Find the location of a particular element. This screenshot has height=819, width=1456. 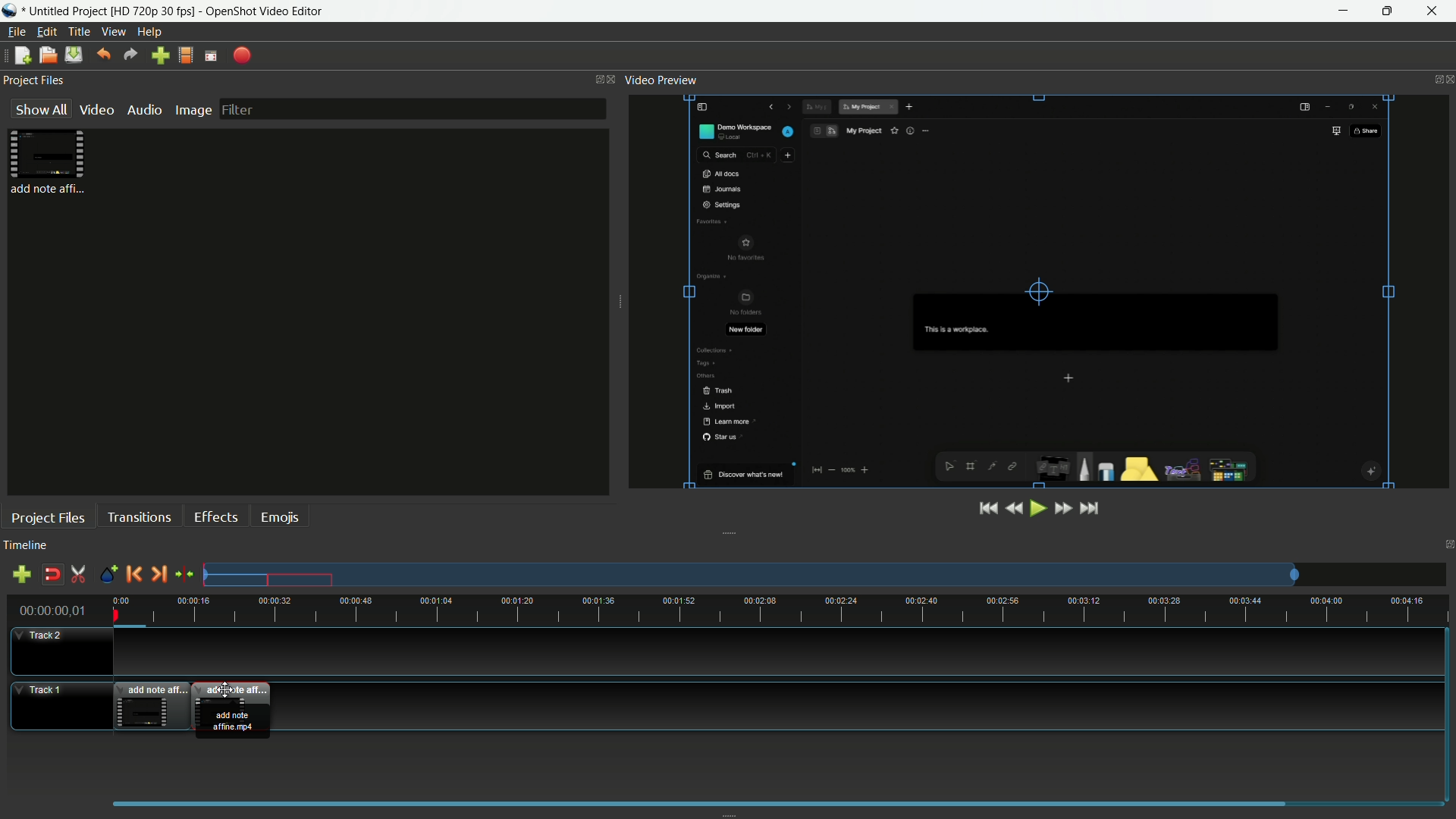

track-1 is located at coordinates (55, 706).